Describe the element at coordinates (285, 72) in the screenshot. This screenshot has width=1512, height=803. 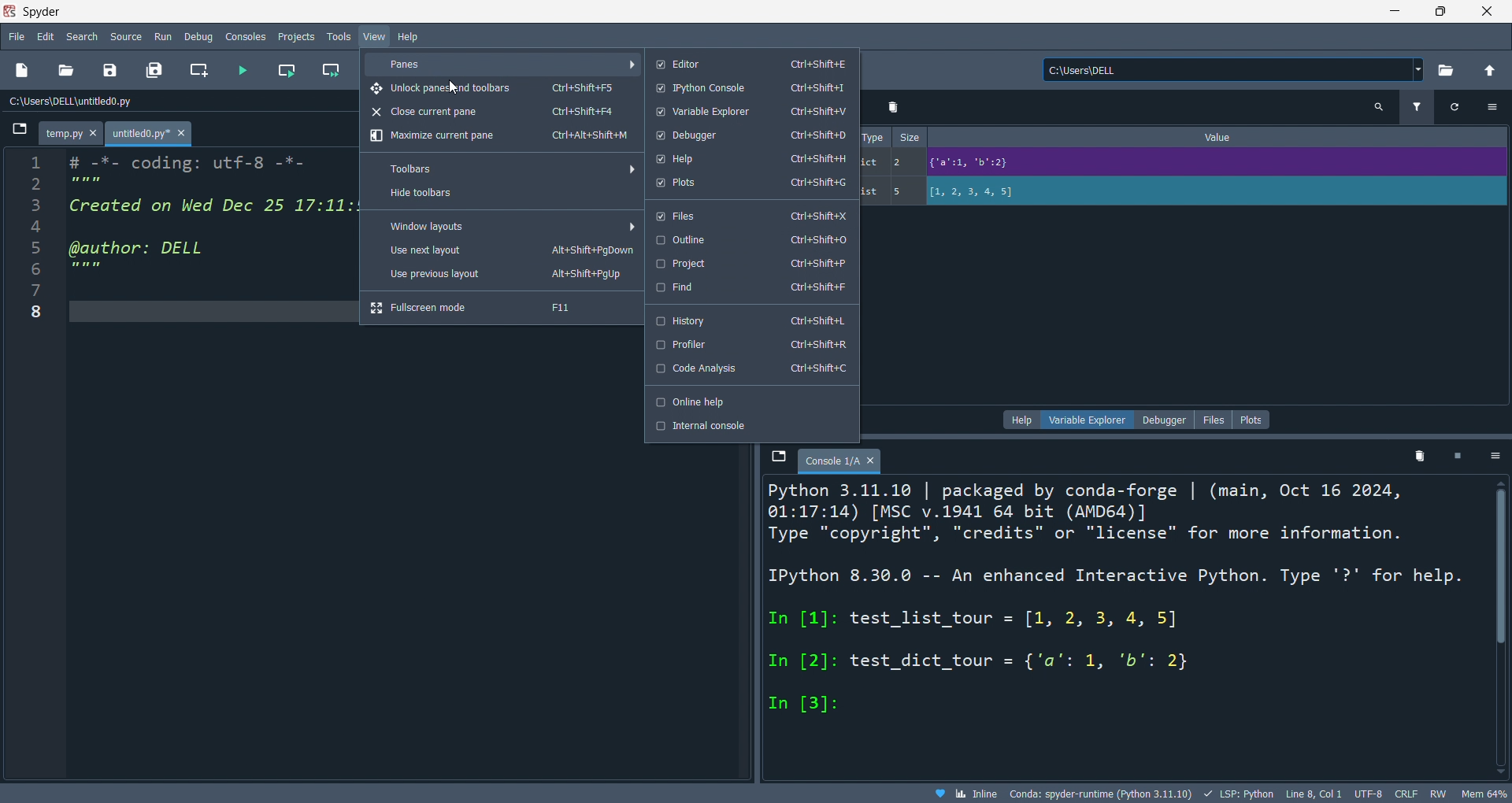
I see `run cell` at that location.